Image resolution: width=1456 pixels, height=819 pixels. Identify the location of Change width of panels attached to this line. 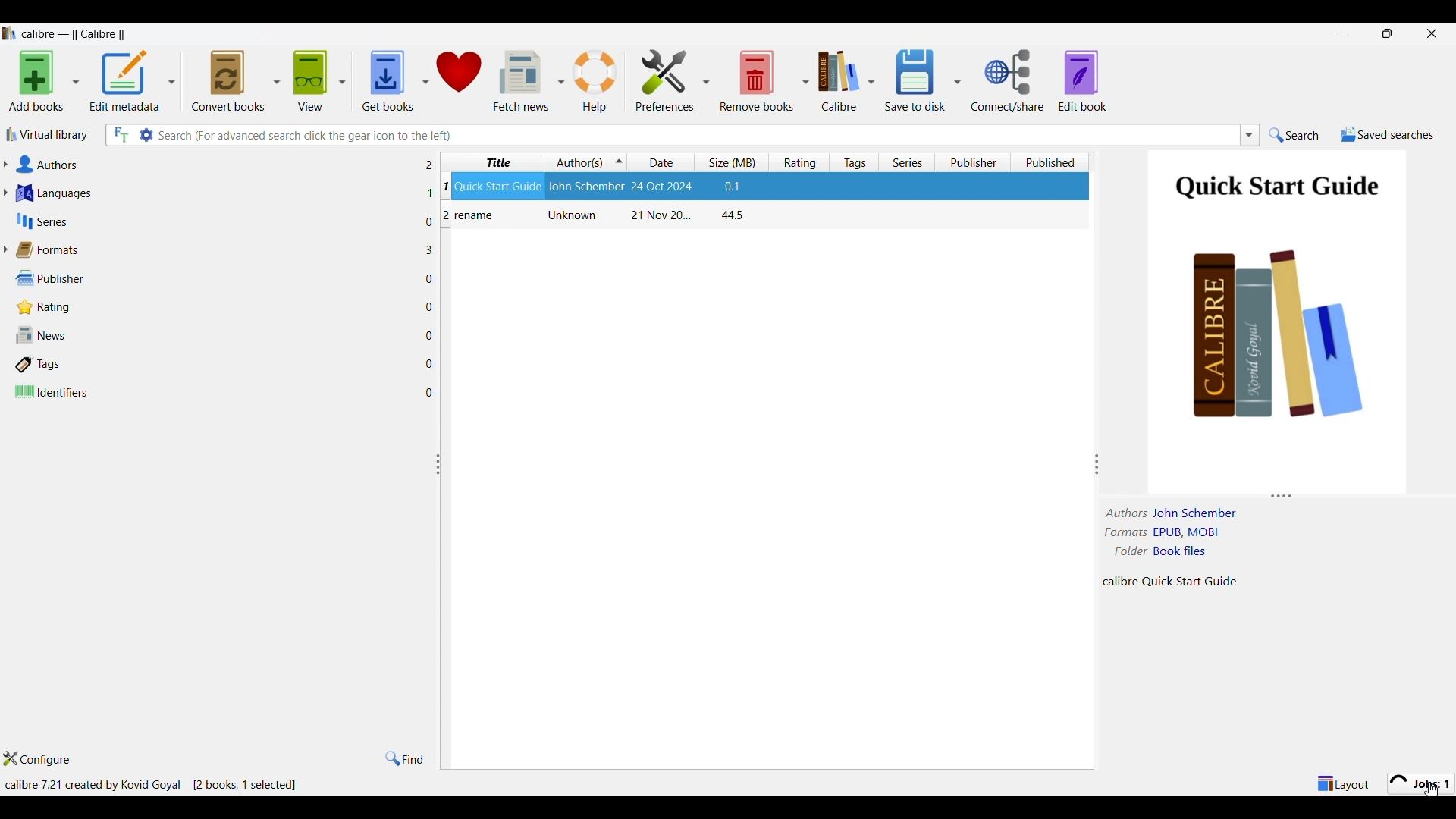
(443, 560).